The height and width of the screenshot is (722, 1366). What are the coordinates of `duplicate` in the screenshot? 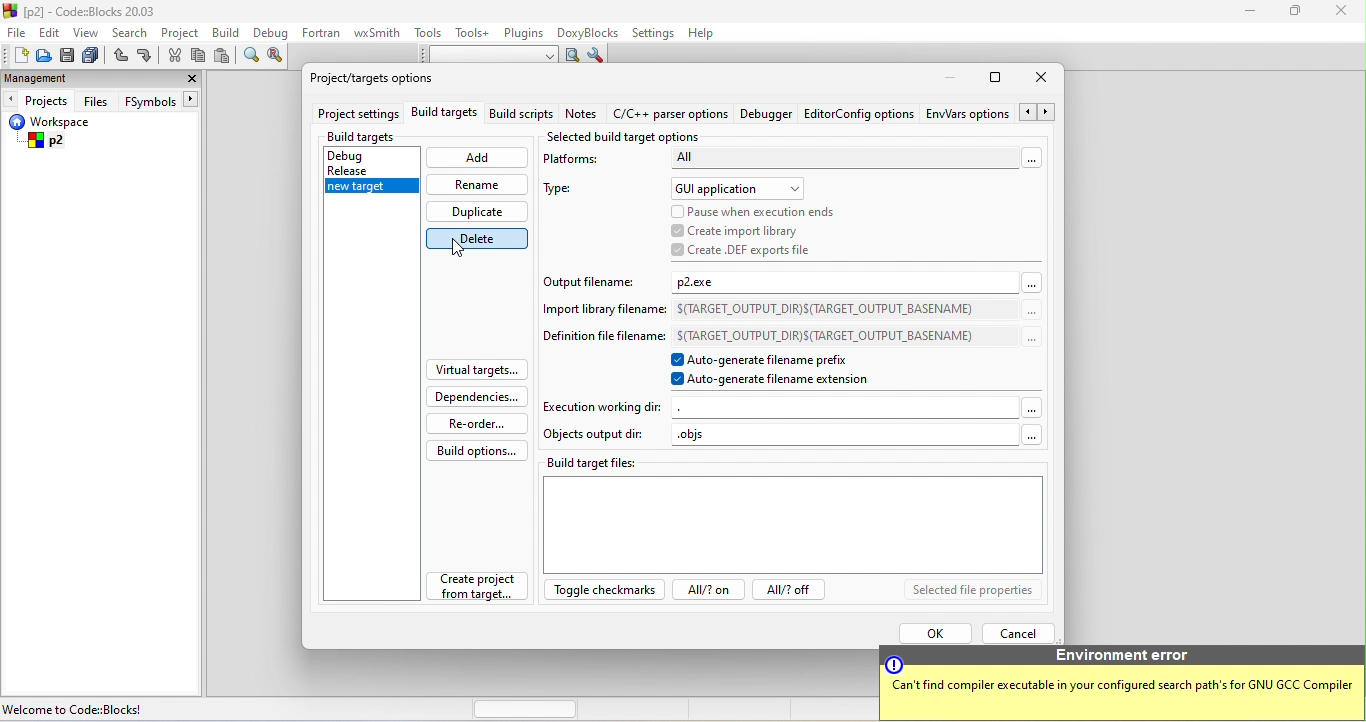 It's located at (476, 212).